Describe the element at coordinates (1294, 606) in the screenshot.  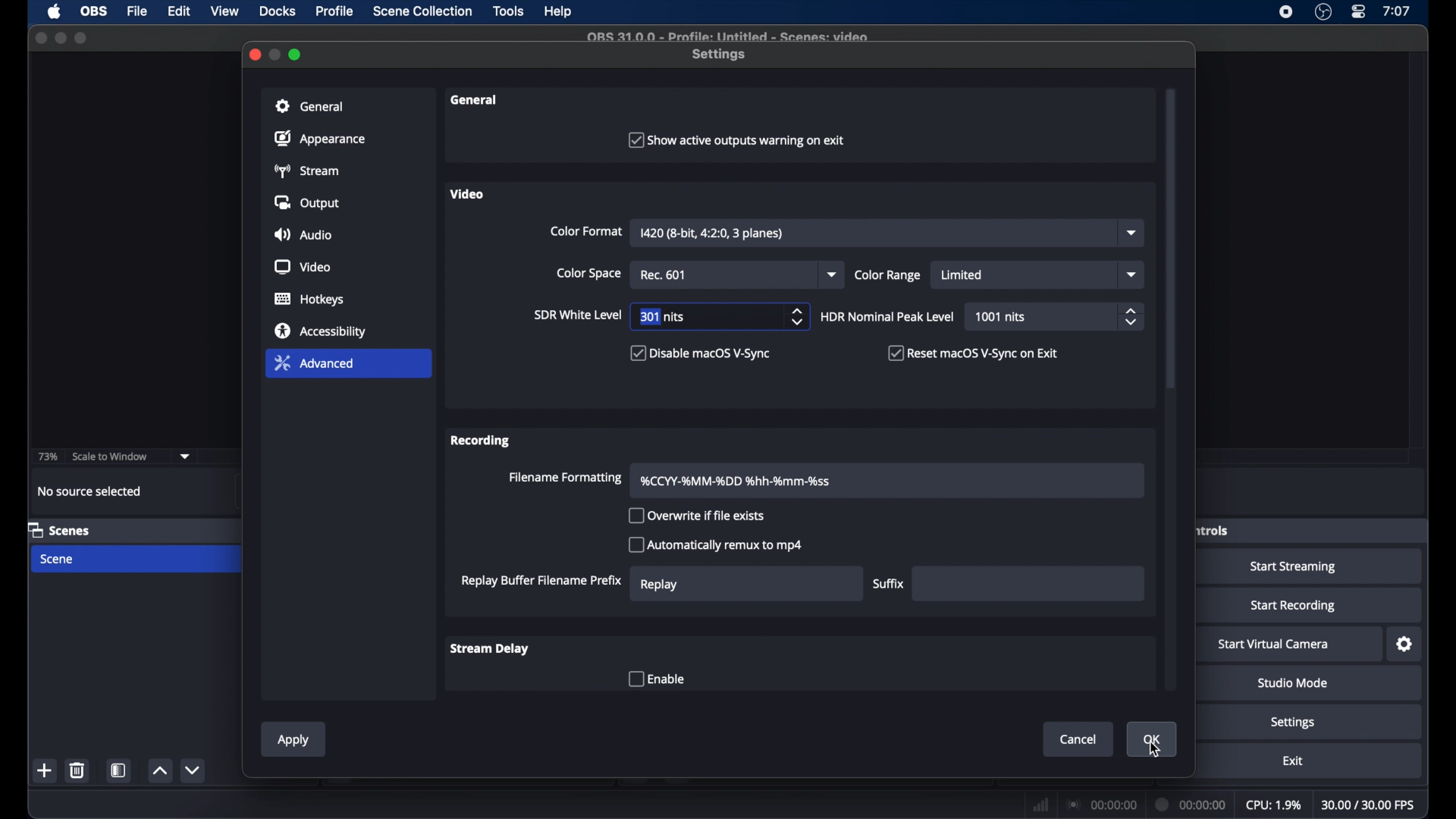
I see `start recording` at that location.